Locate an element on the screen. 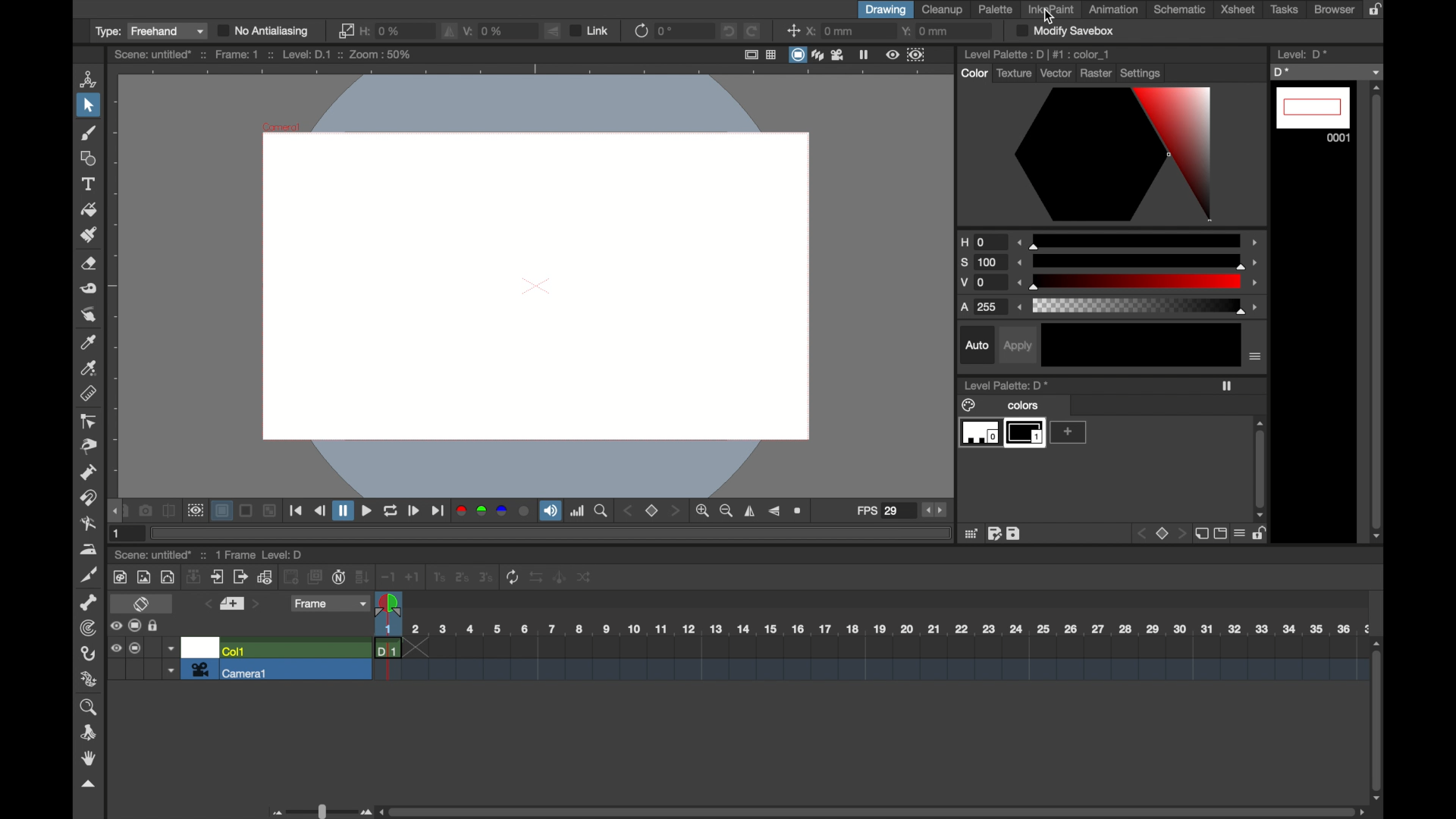 This screenshot has height=819, width=1456. iron tool is located at coordinates (89, 549).